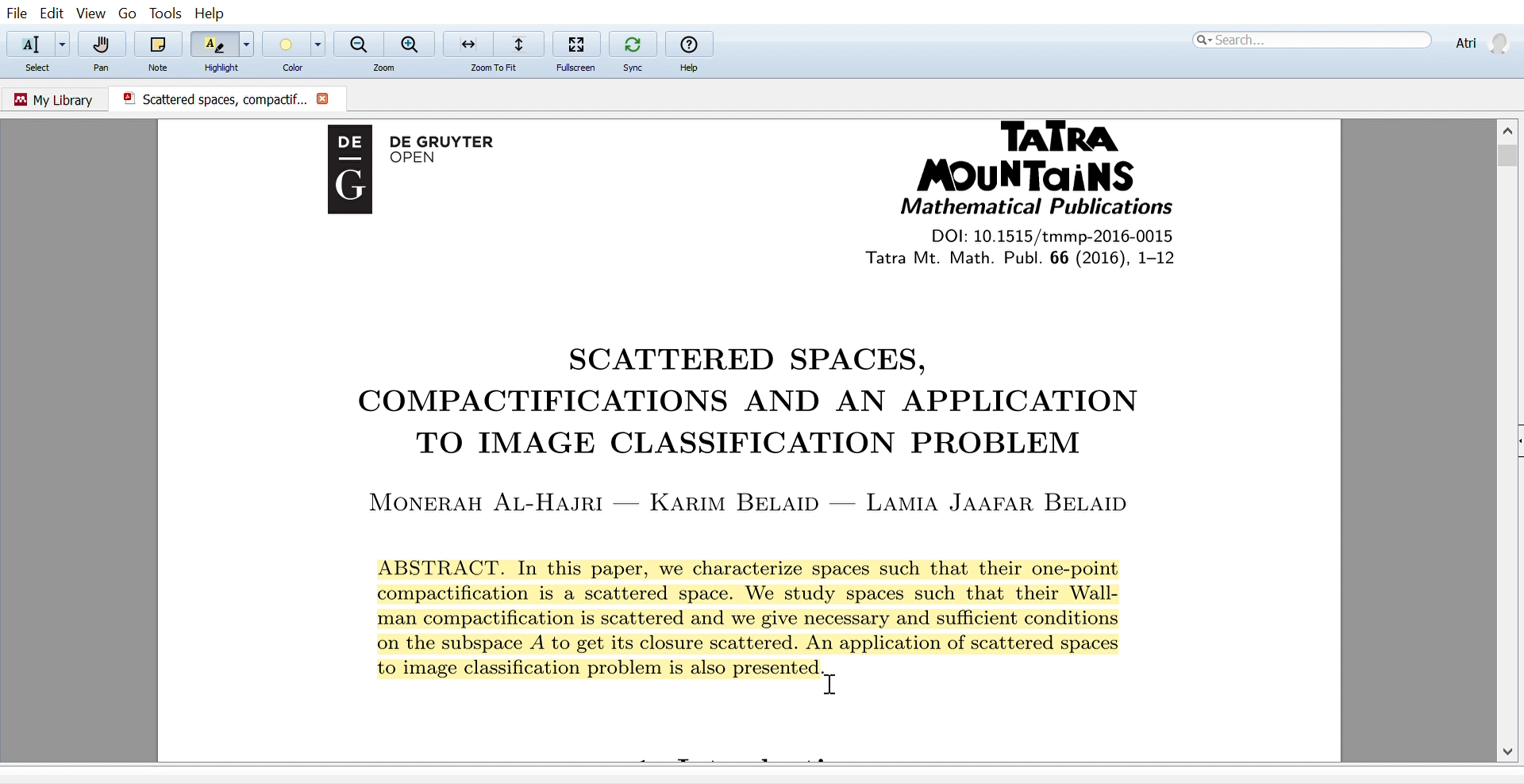 The width and height of the screenshot is (1524, 784). What do you see at coordinates (103, 69) in the screenshot?
I see `Pan` at bounding box center [103, 69].